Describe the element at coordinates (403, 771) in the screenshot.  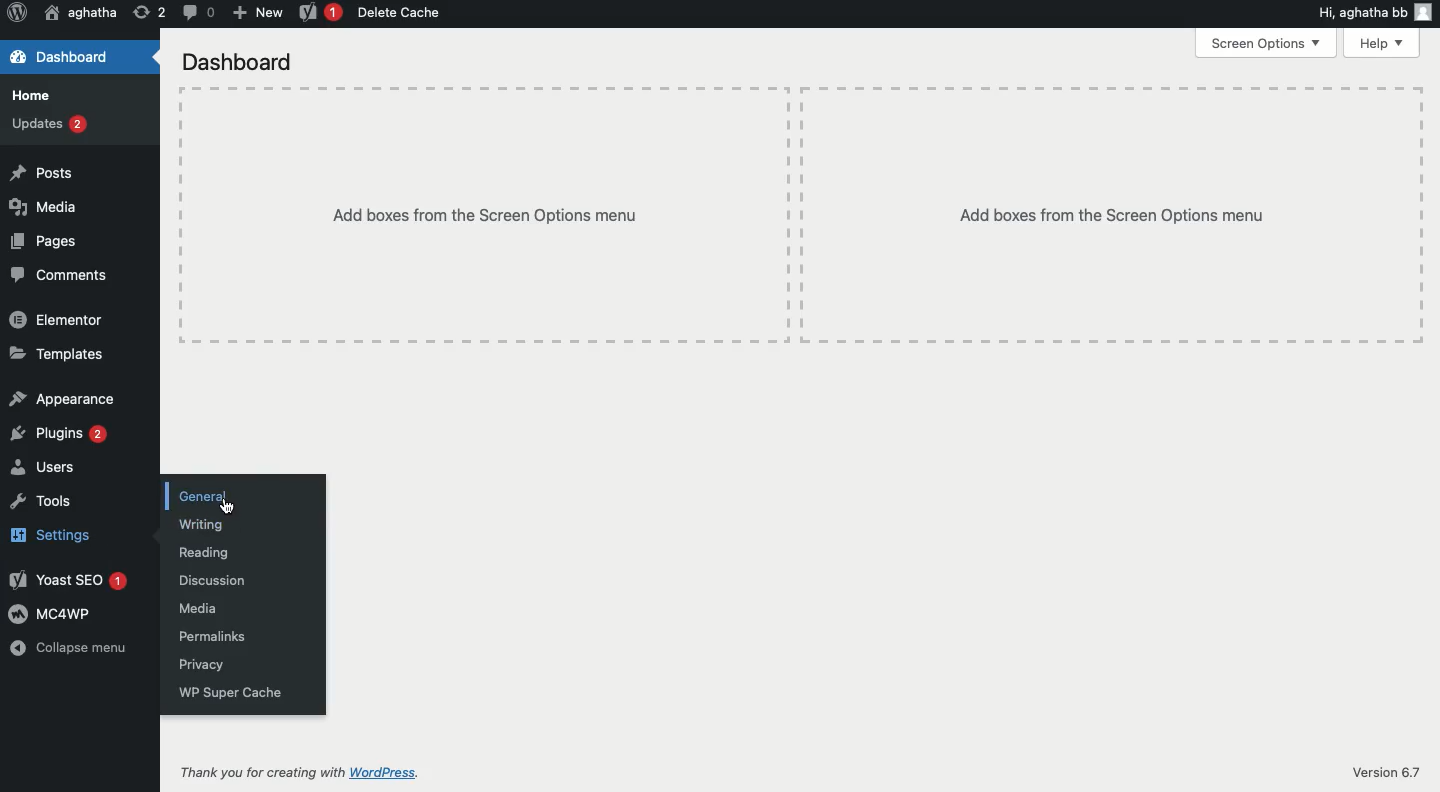
I see `WordPress.` at that location.